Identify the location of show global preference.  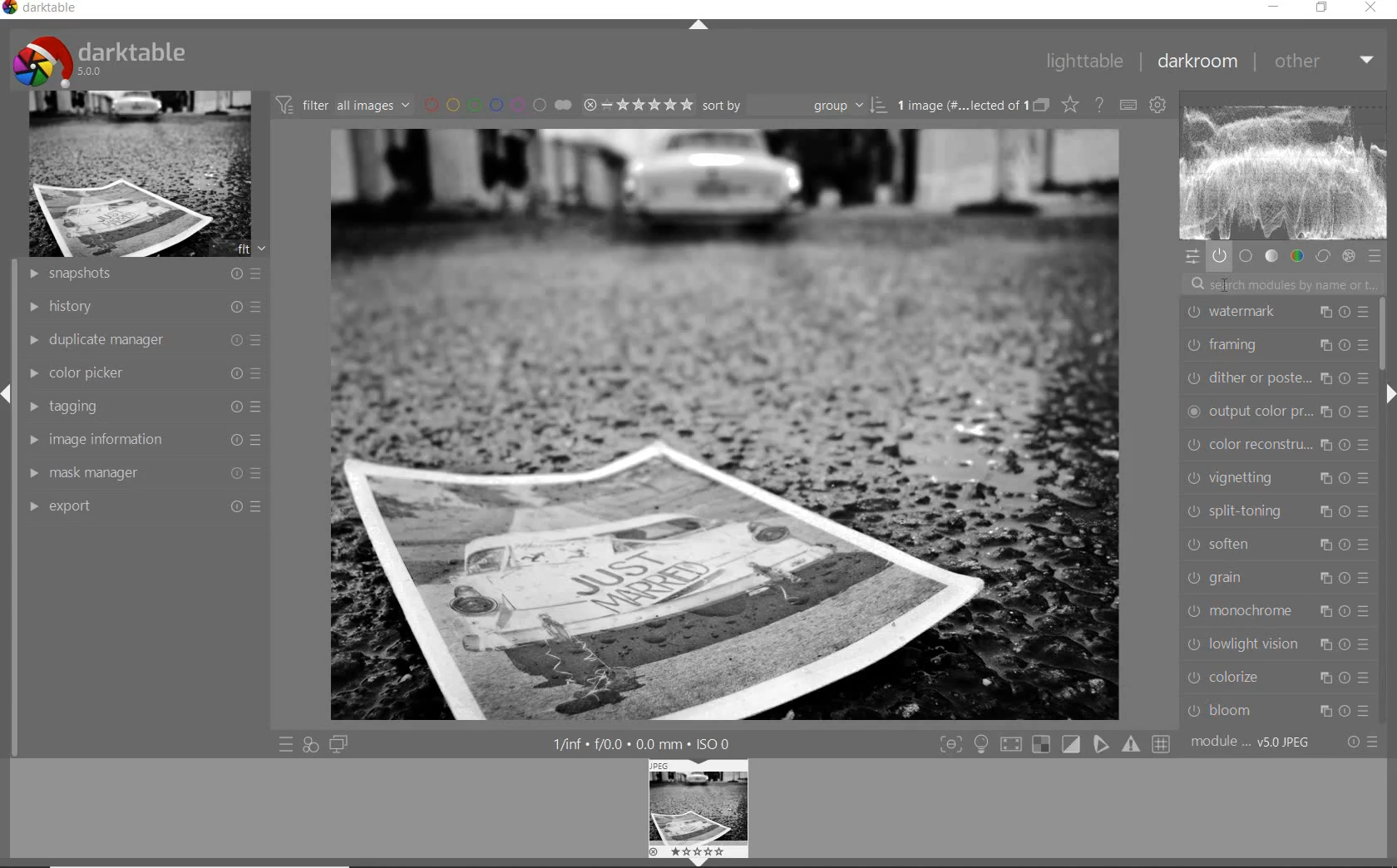
(1156, 106).